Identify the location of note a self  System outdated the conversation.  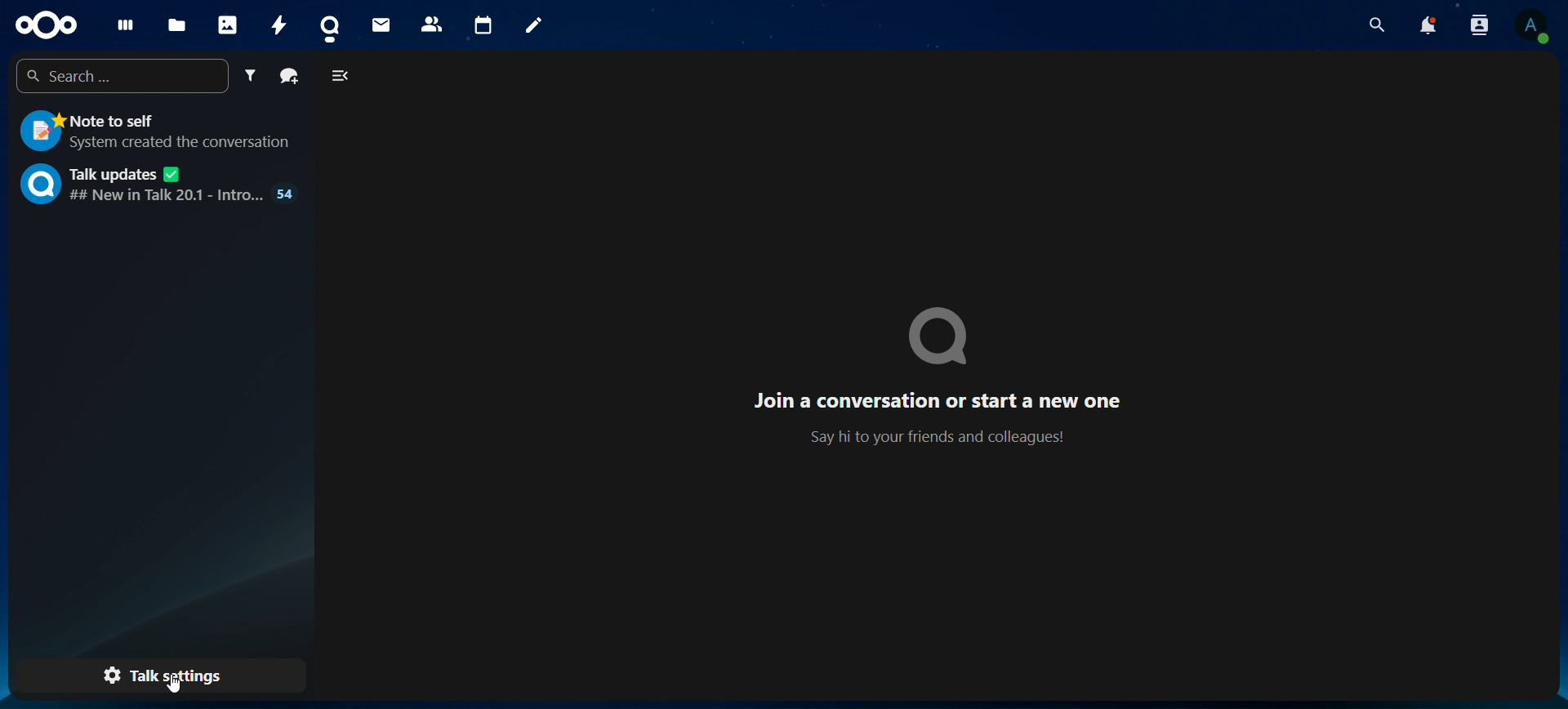
(158, 131).